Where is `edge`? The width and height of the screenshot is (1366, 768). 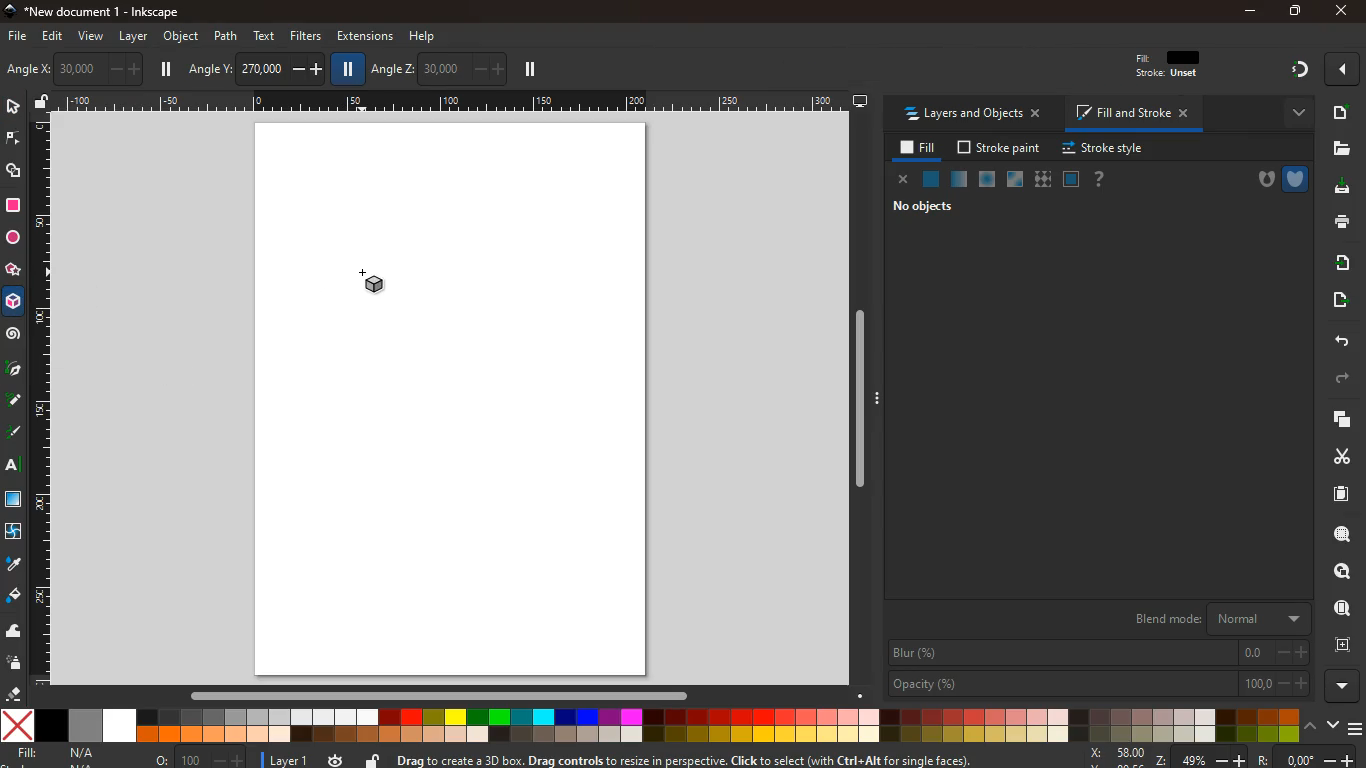 edge is located at coordinates (12, 140).